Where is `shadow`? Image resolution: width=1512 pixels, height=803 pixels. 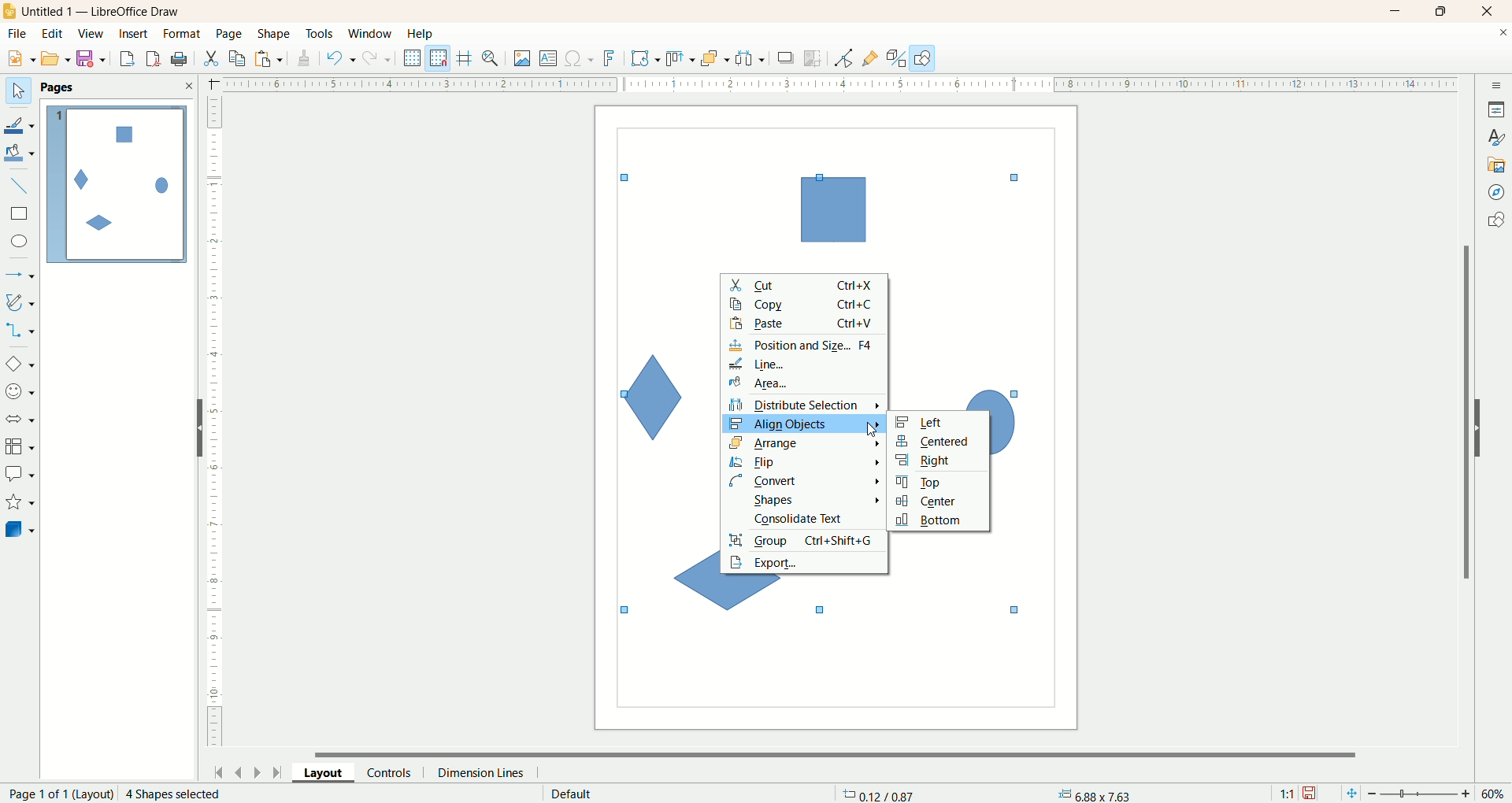
shadow is located at coordinates (786, 57).